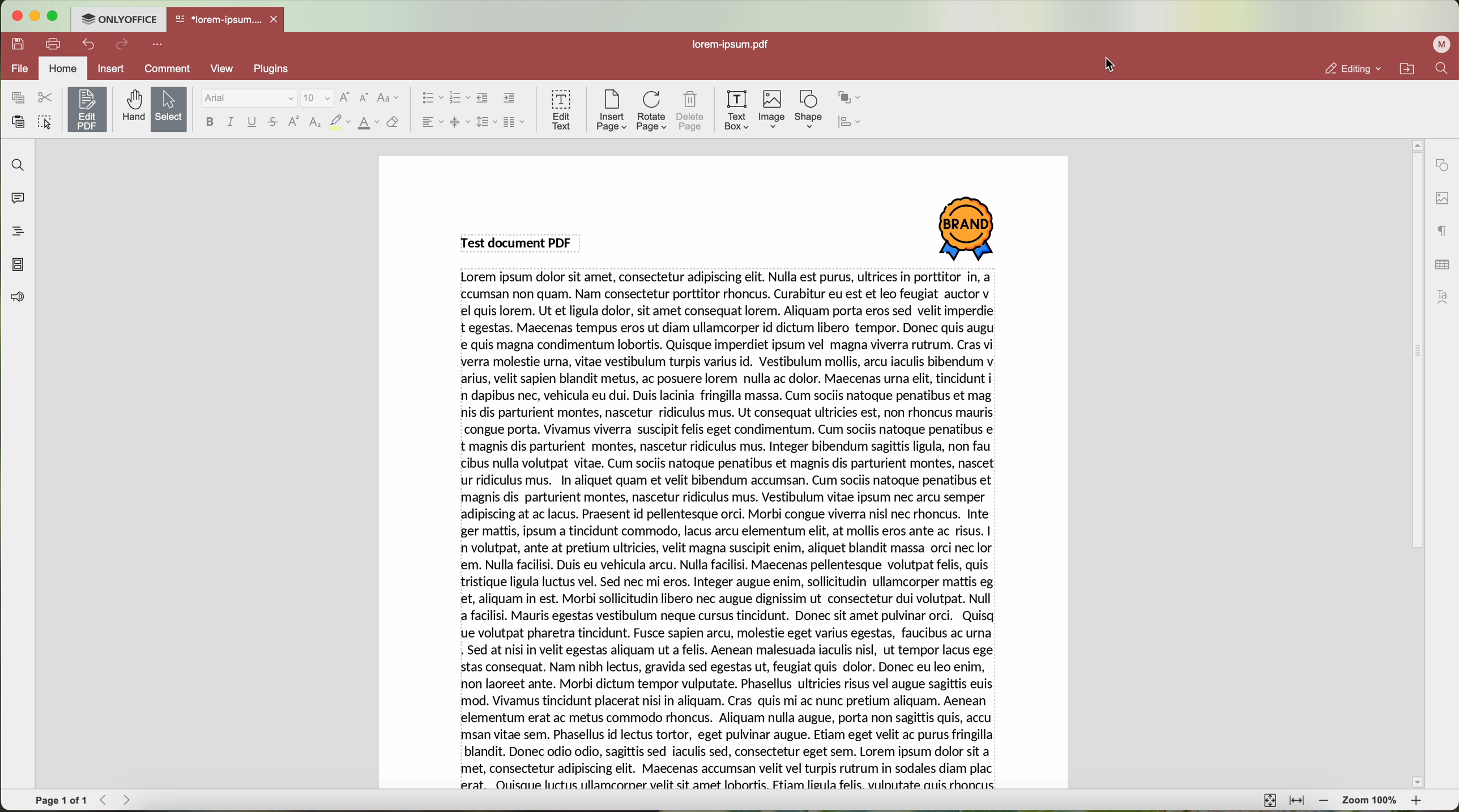  What do you see at coordinates (369, 123) in the screenshot?
I see `color type` at bounding box center [369, 123].